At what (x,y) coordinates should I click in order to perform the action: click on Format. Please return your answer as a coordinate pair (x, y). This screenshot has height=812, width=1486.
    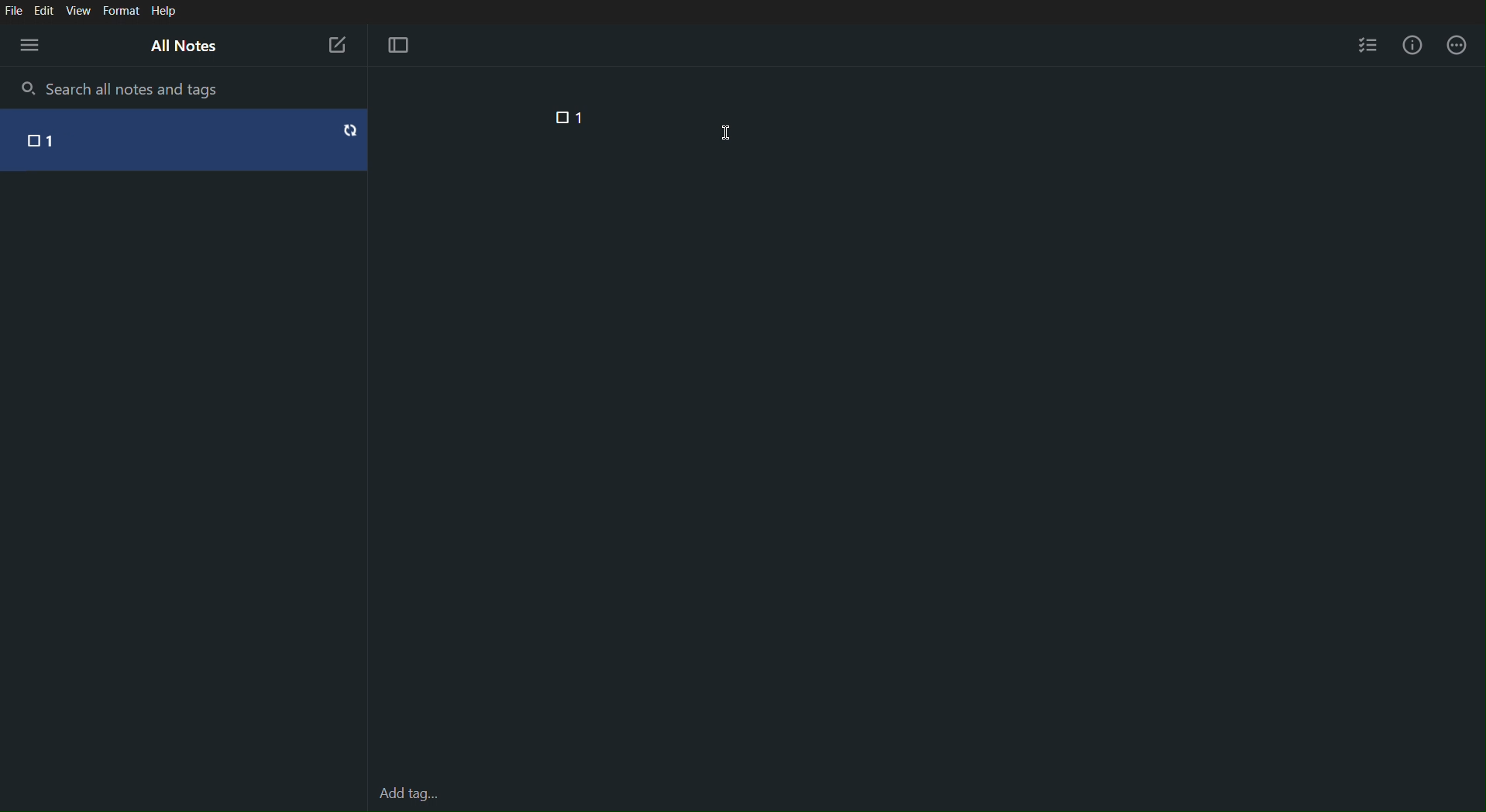
    Looking at the image, I should click on (120, 12).